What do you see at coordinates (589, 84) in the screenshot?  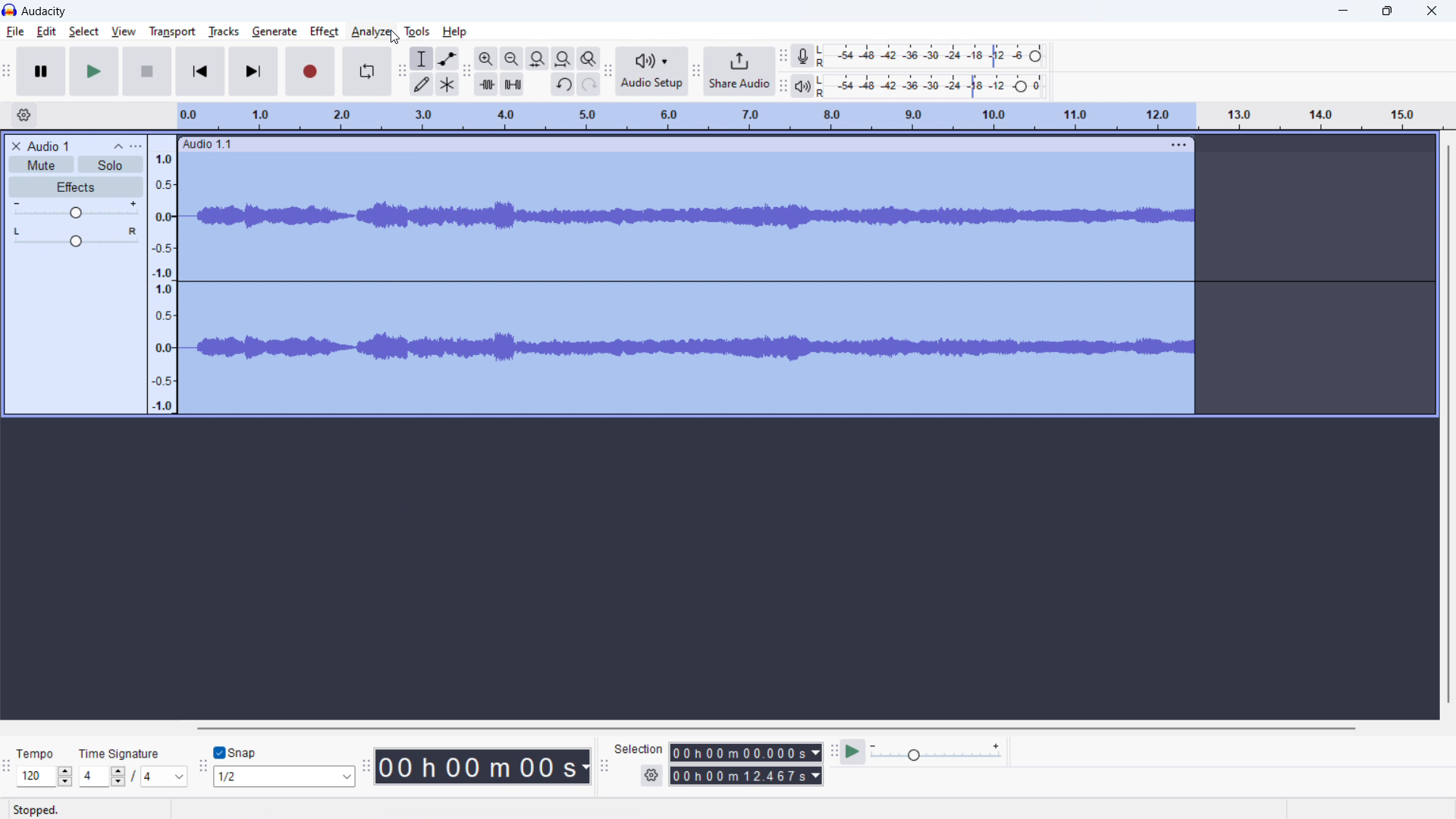 I see `redo` at bounding box center [589, 84].